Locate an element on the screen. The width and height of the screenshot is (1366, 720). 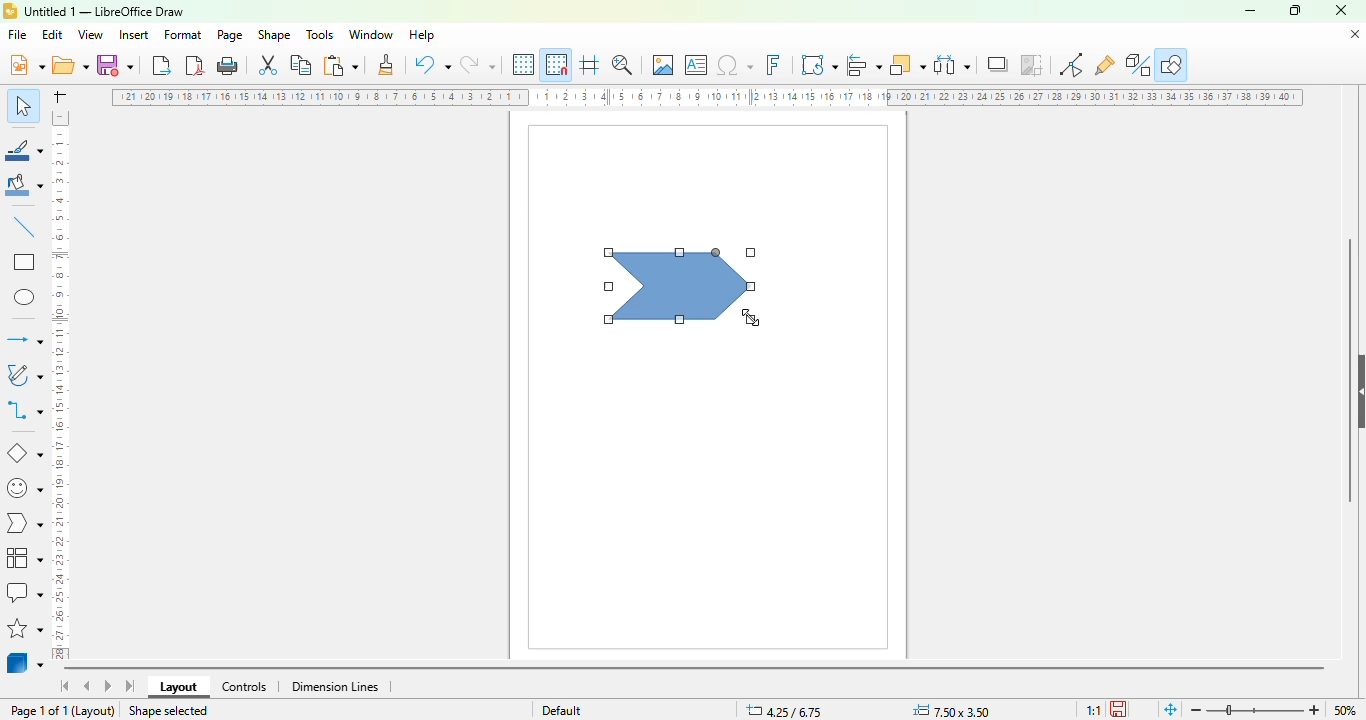
symbol shapes is located at coordinates (23, 489).